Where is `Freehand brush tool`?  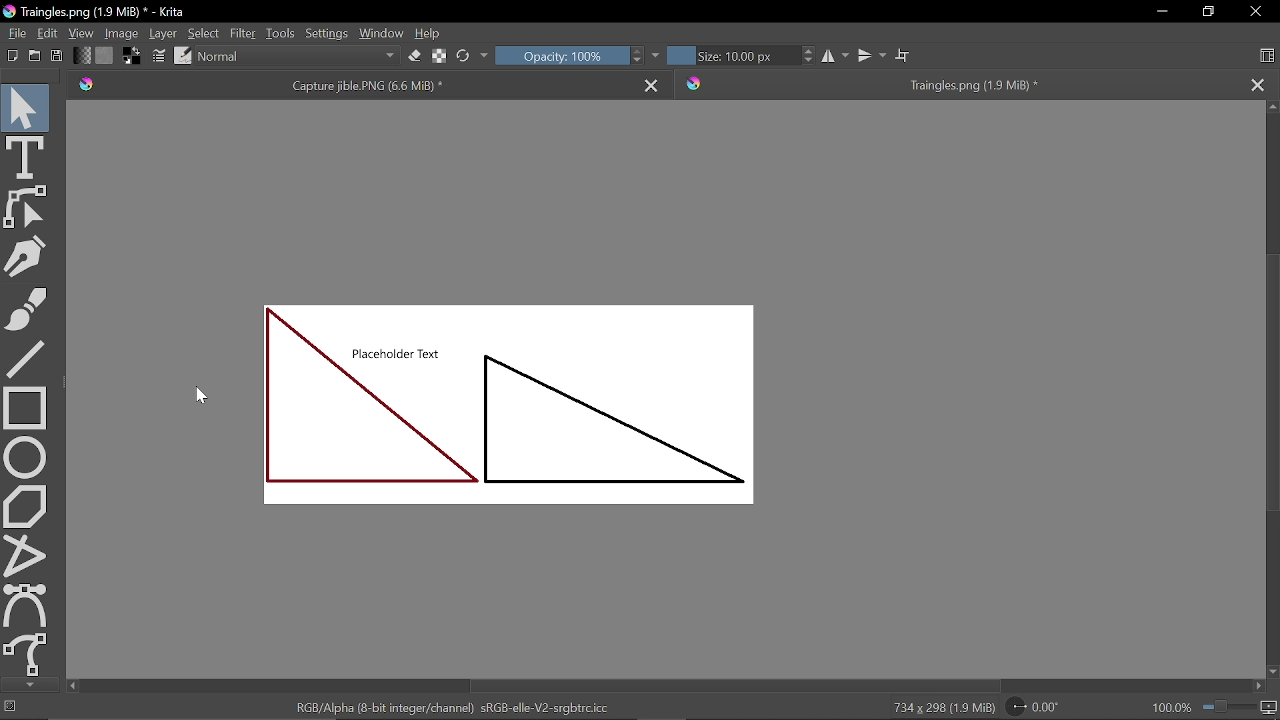
Freehand brush tool is located at coordinates (26, 306).